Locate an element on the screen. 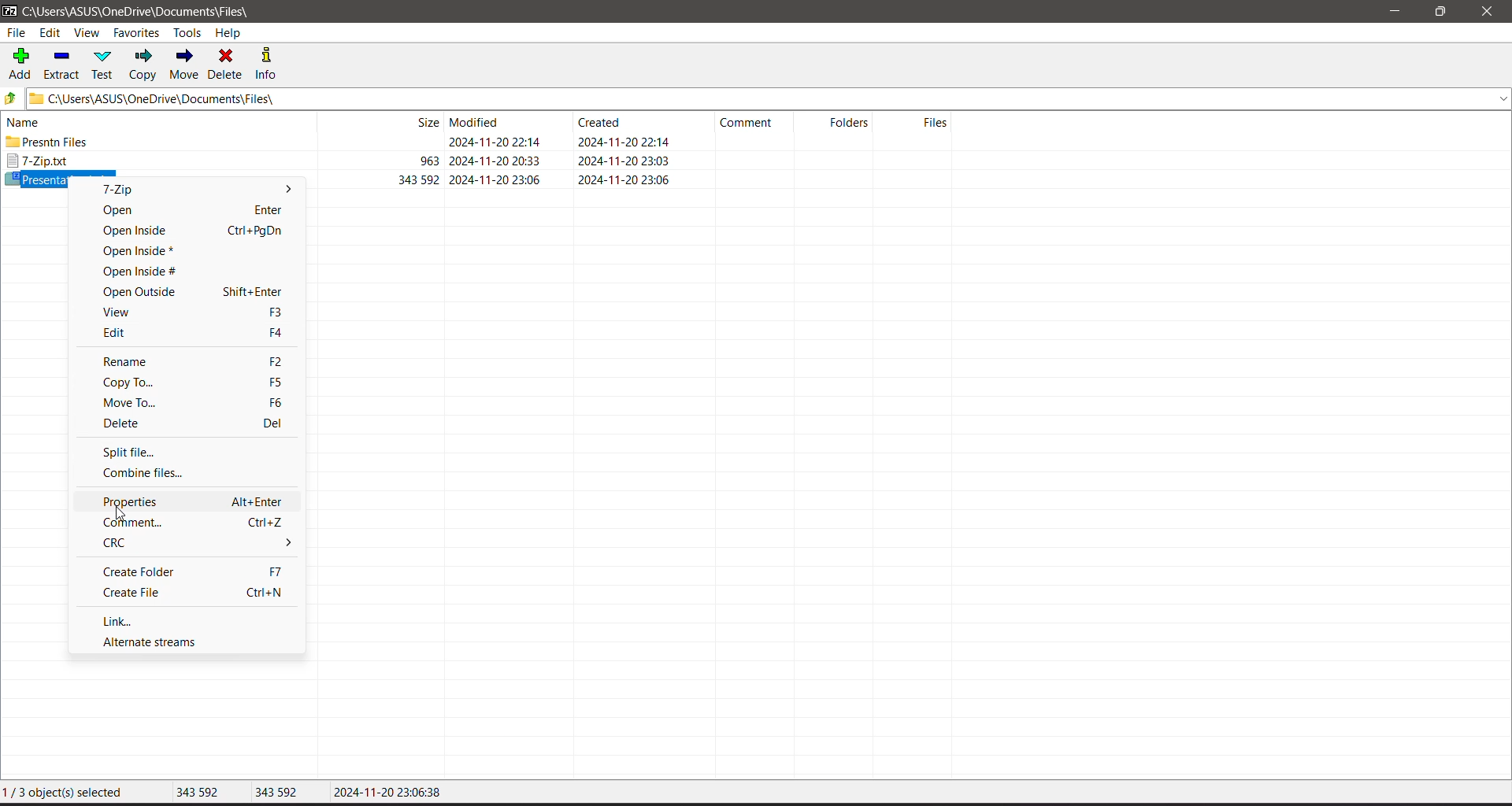 The width and height of the screenshot is (1512, 806). Move To is located at coordinates (189, 402).